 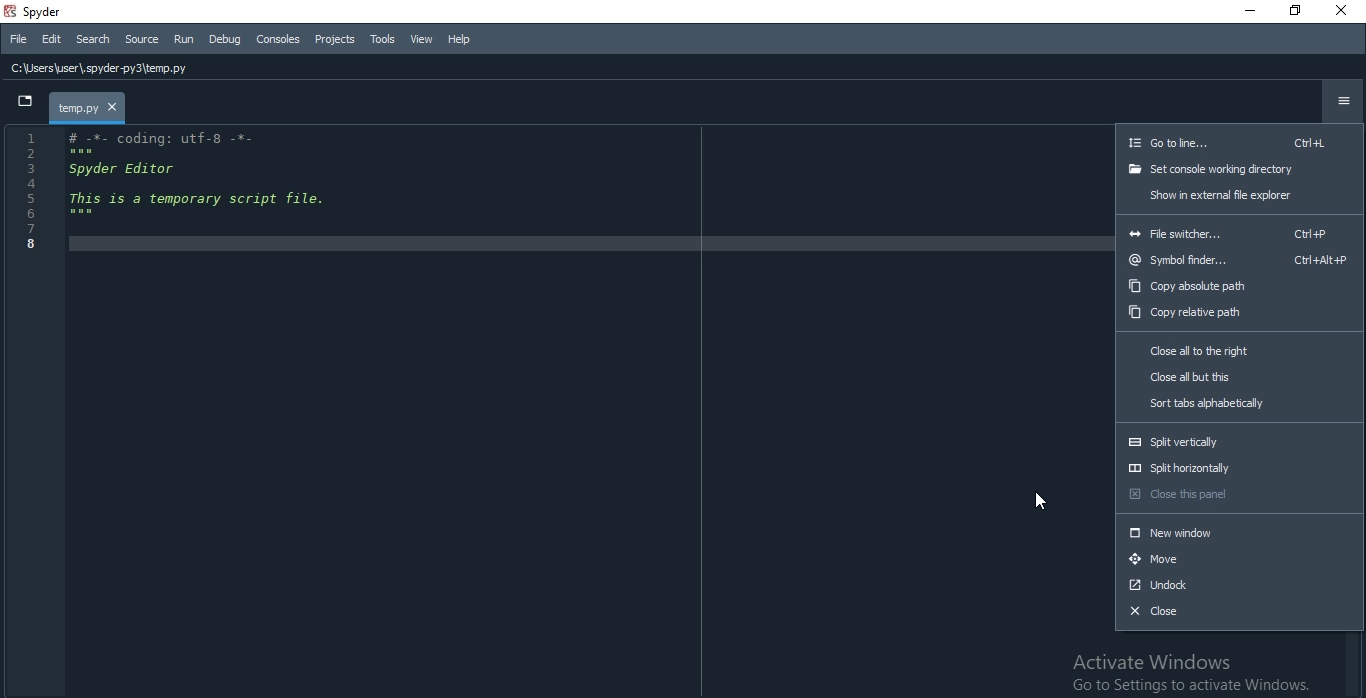 What do you see at coordinates (1237, 560) in the screenshot?
I see `move` at bounding box center [1237, 560].